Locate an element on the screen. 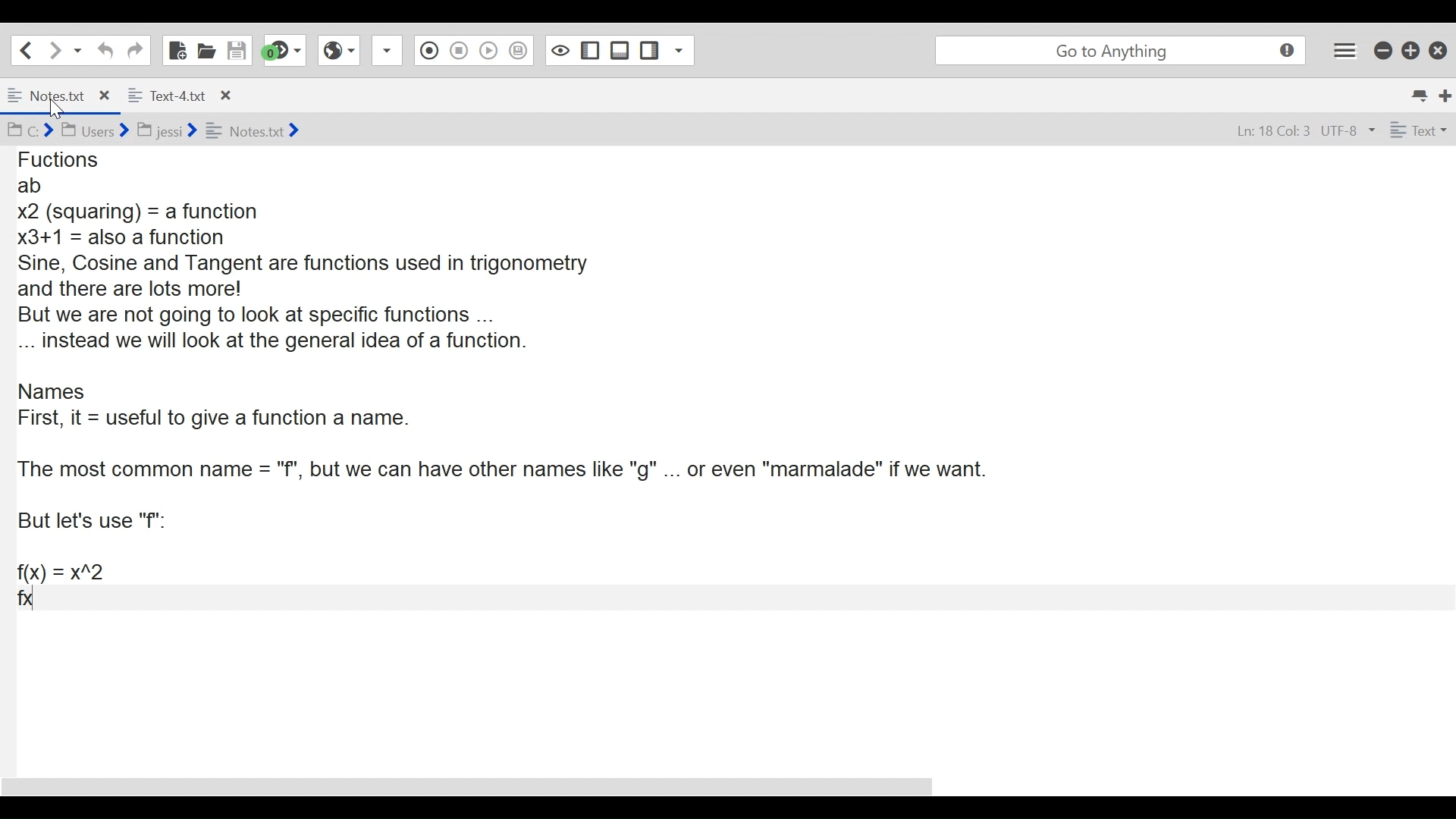 This screenshot has height=819, width=1456. Close is located at coordinates (1437, 49).